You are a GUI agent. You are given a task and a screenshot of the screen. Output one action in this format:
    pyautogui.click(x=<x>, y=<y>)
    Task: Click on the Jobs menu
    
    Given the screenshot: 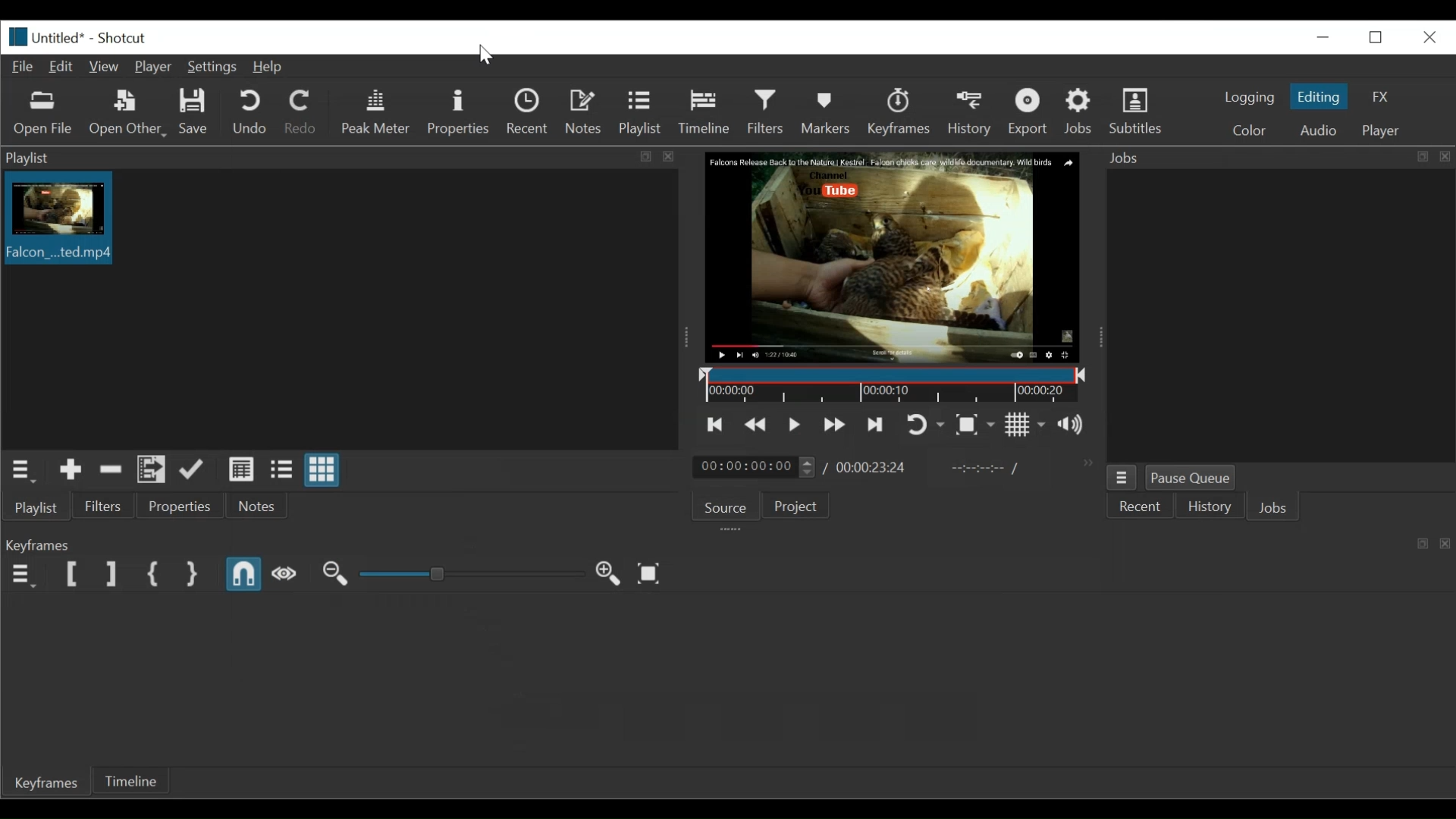 What is the action you would take?
    pyautogui.click(x=1122, y=477)
    